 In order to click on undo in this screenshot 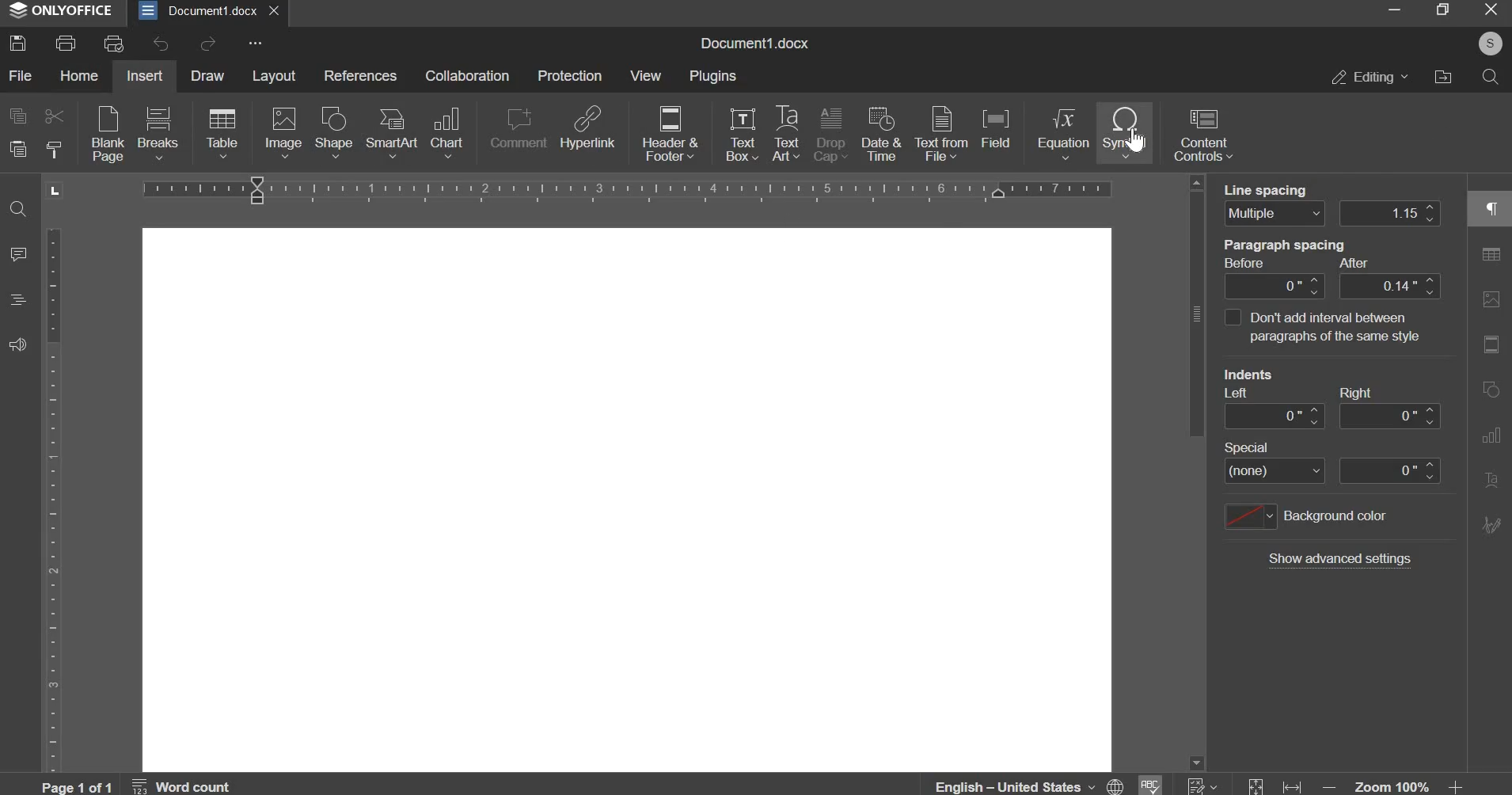, I will do `click(160, 44)`.